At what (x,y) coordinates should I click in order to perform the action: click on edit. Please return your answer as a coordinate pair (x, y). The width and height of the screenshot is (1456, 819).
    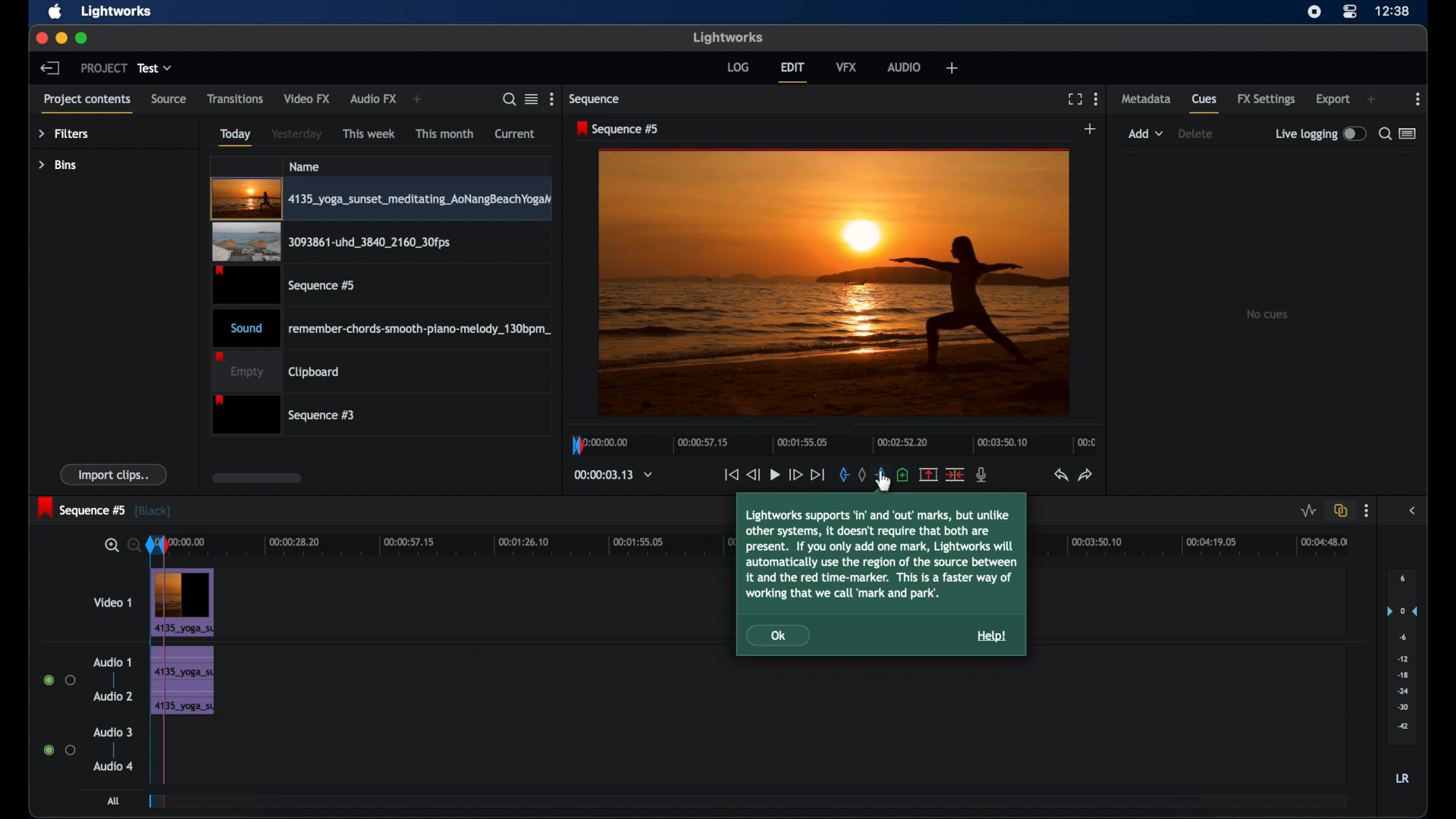
    Looking at the image, I should click on (792, 71).